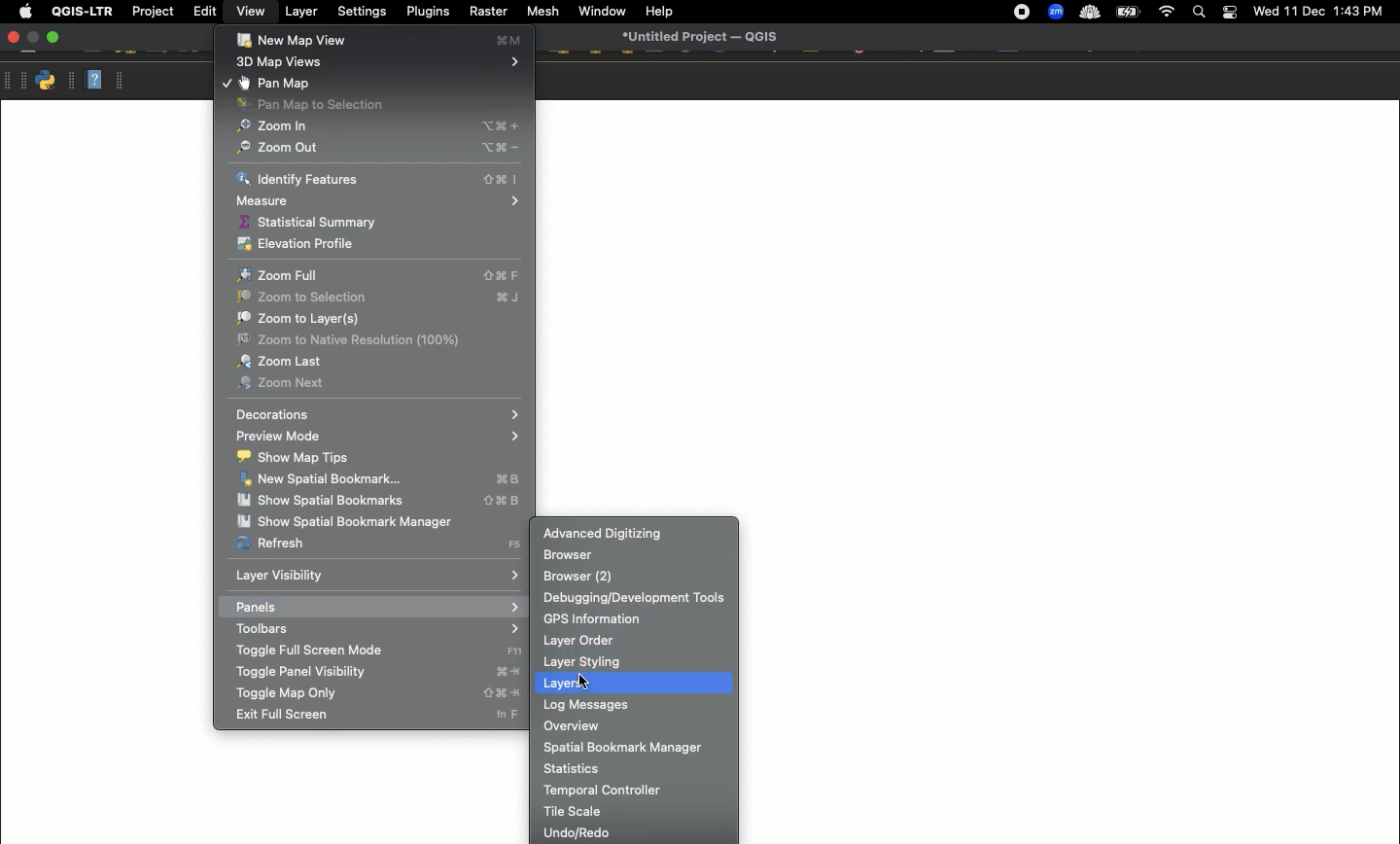 The image size is (1400, 844). Describe the element at coordinates (659, 12) in the screenshot. I see `Help` at that location.